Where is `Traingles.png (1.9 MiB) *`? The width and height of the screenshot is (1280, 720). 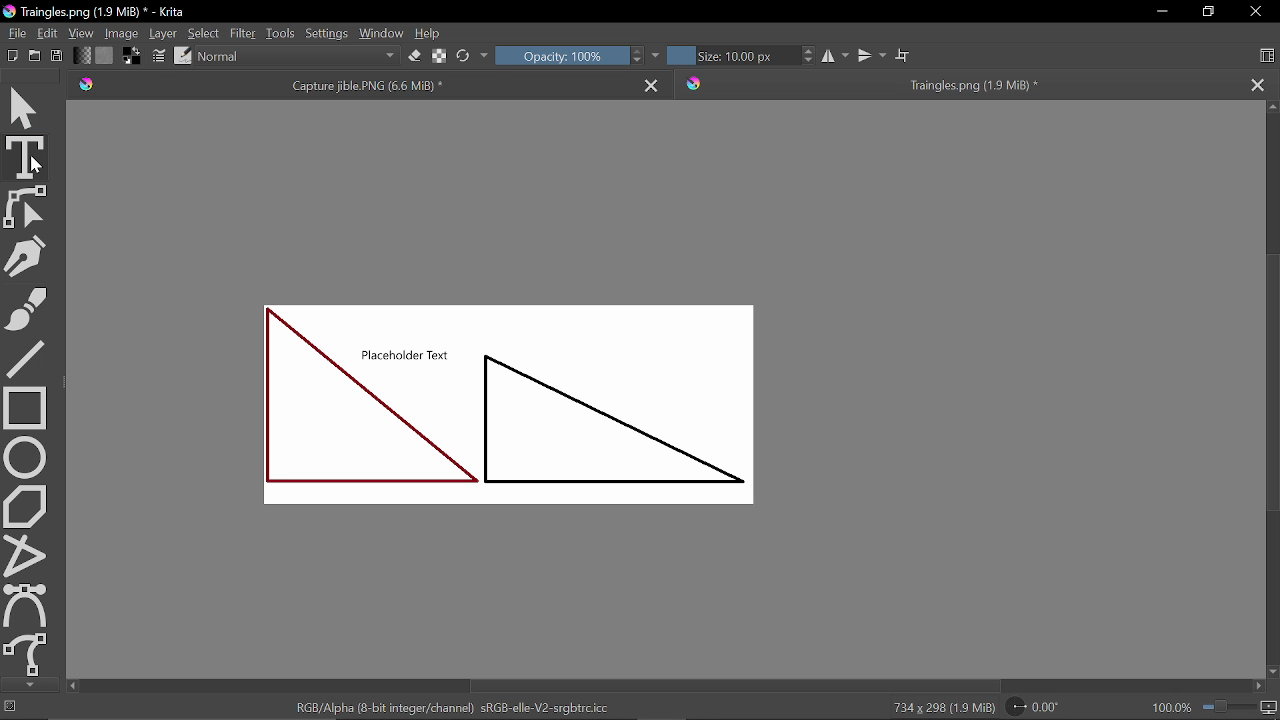
Traingles.png (1.9 MiB) * is located at coordinates (958, 85).